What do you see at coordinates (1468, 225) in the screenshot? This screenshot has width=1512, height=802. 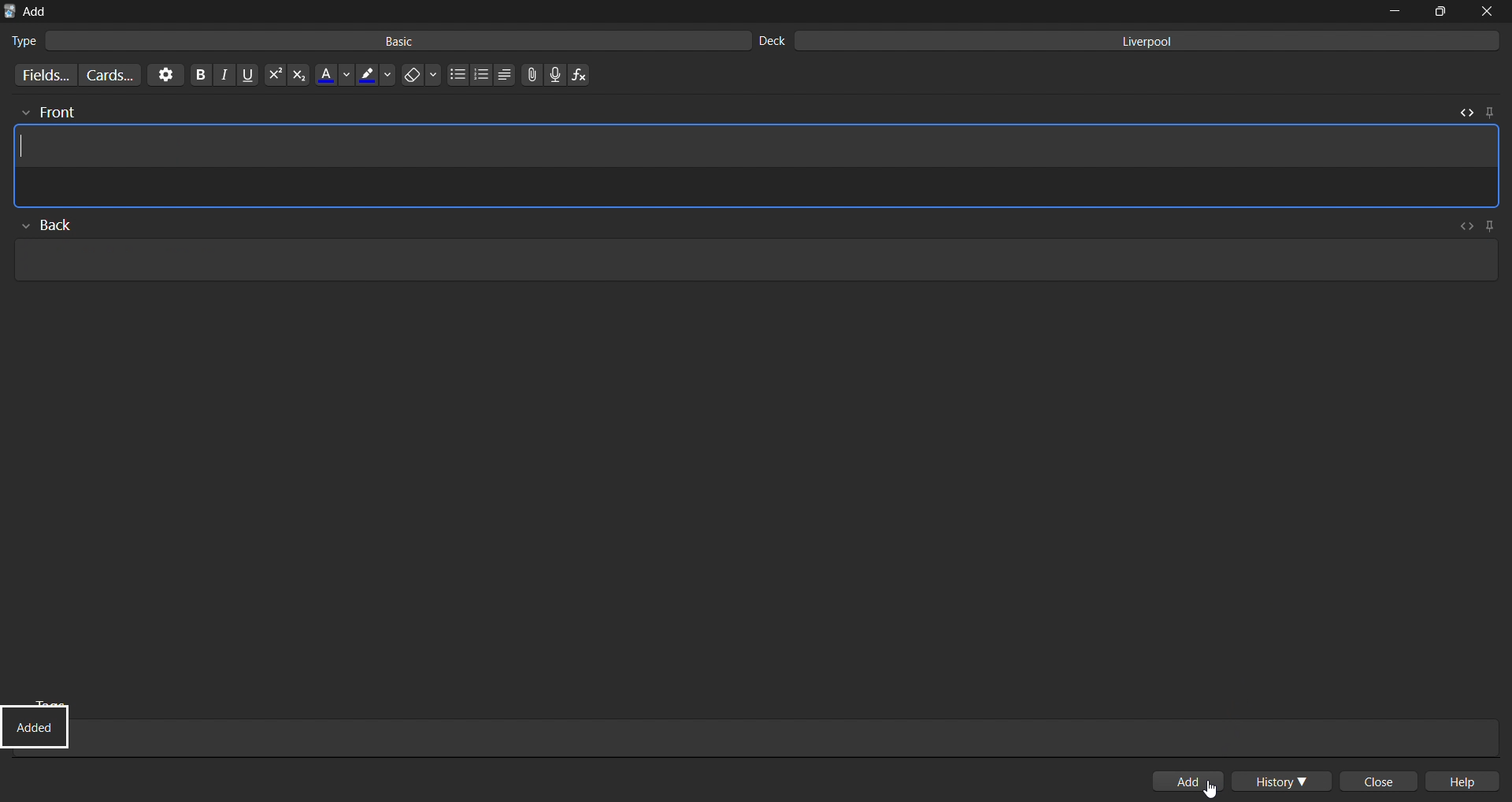 I see `toggle html editor` at bounding box center [1468, 225].